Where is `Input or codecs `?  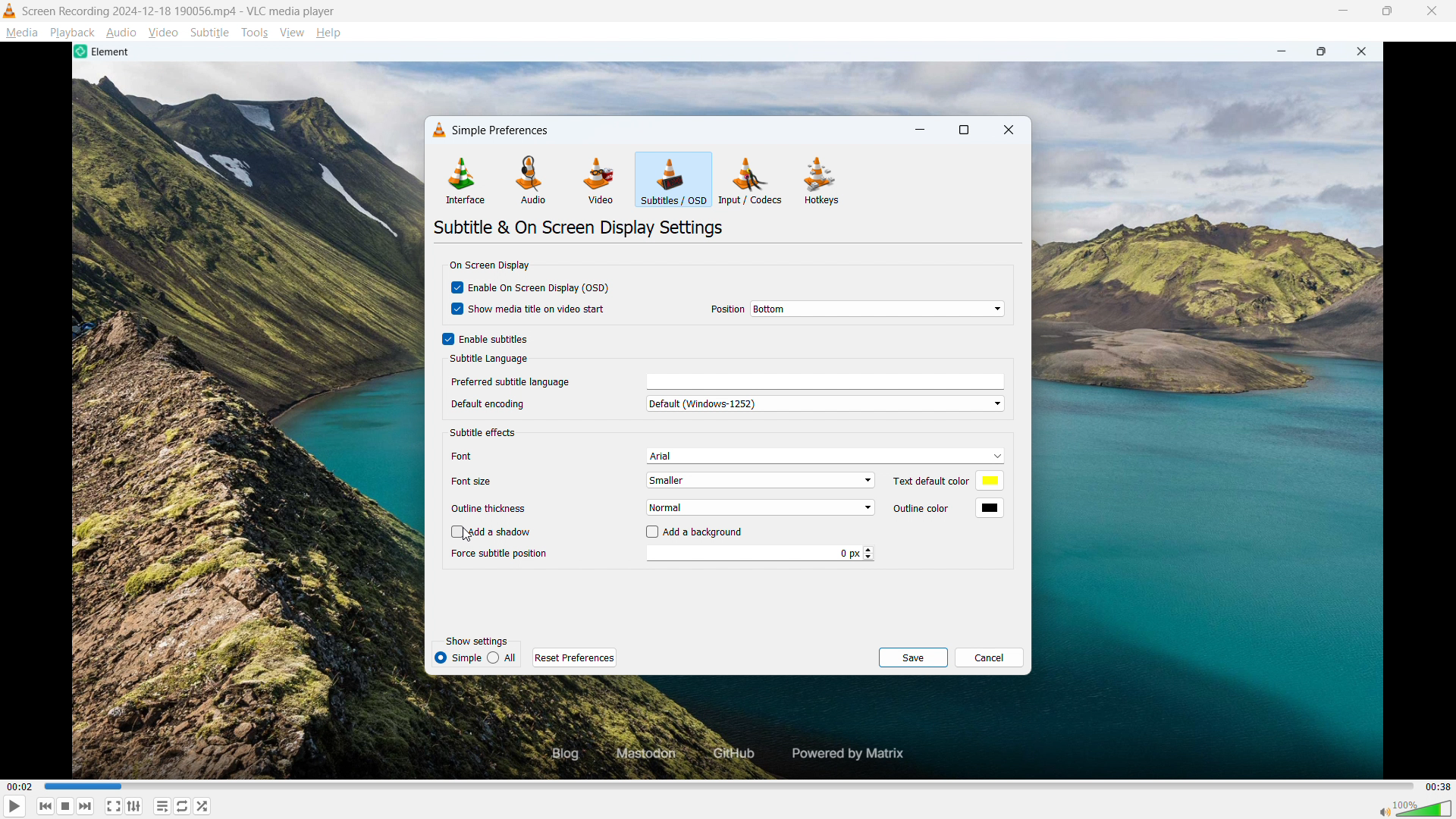 Input or codecs  is located at coordinates (751, 180).